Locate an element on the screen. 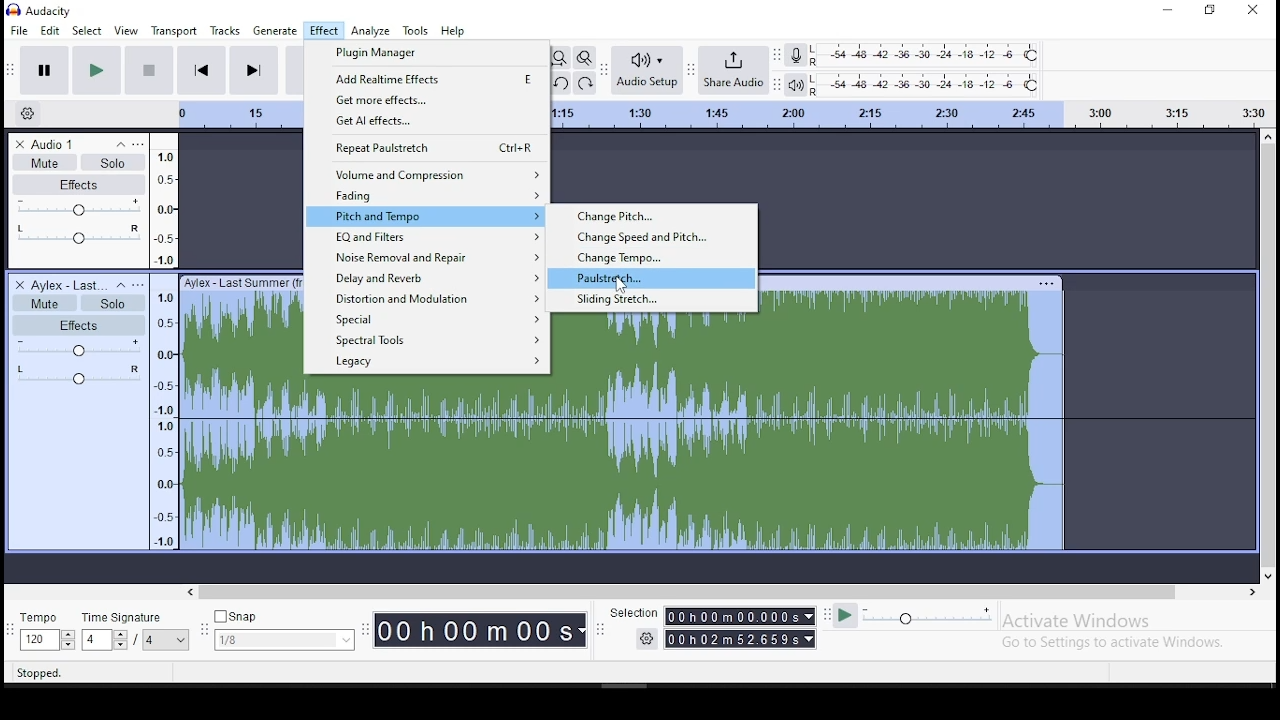  scroll bar is located at coordinates (725, 592).